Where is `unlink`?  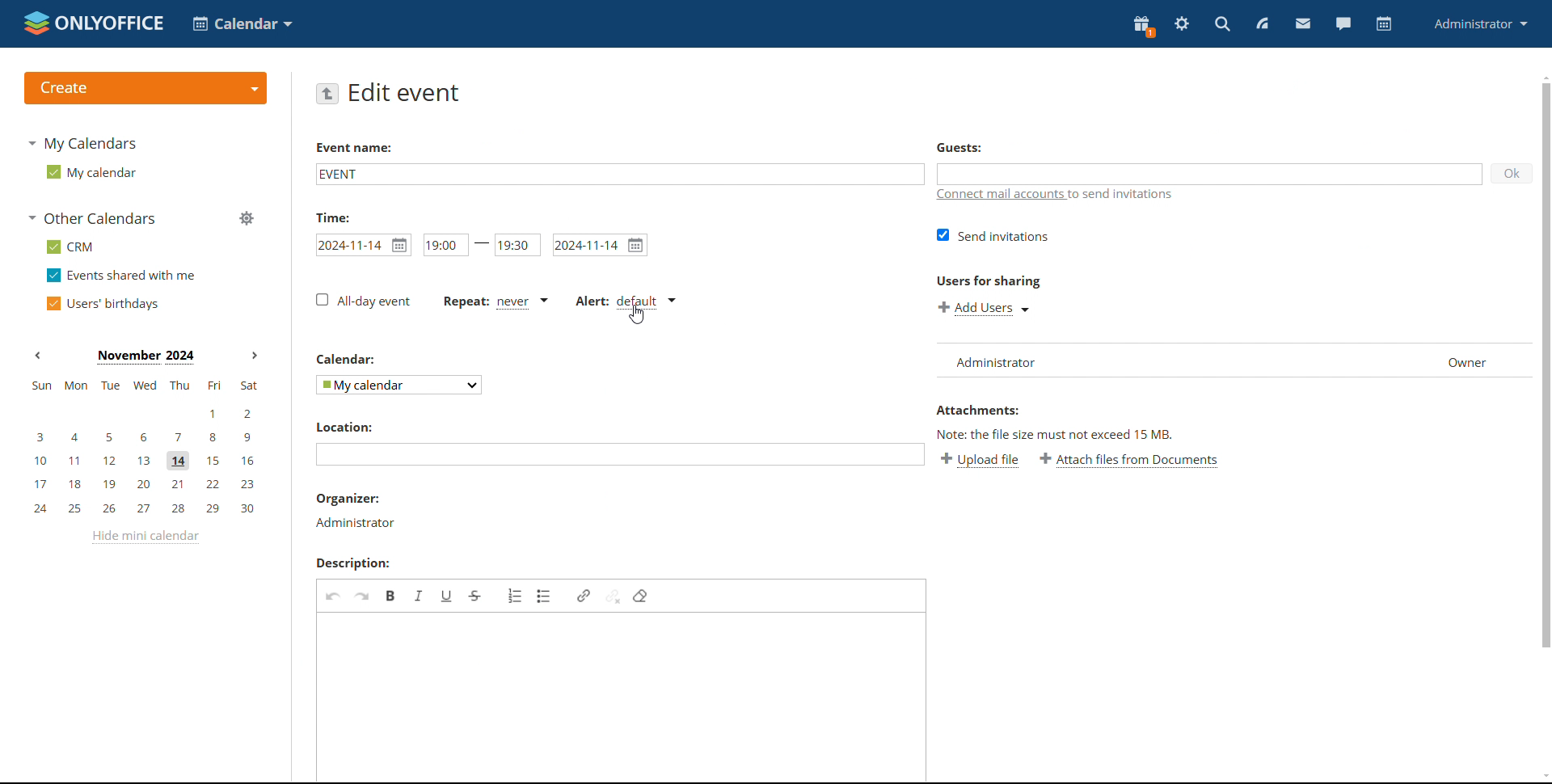
unlink is located at coordinates (612, 596).